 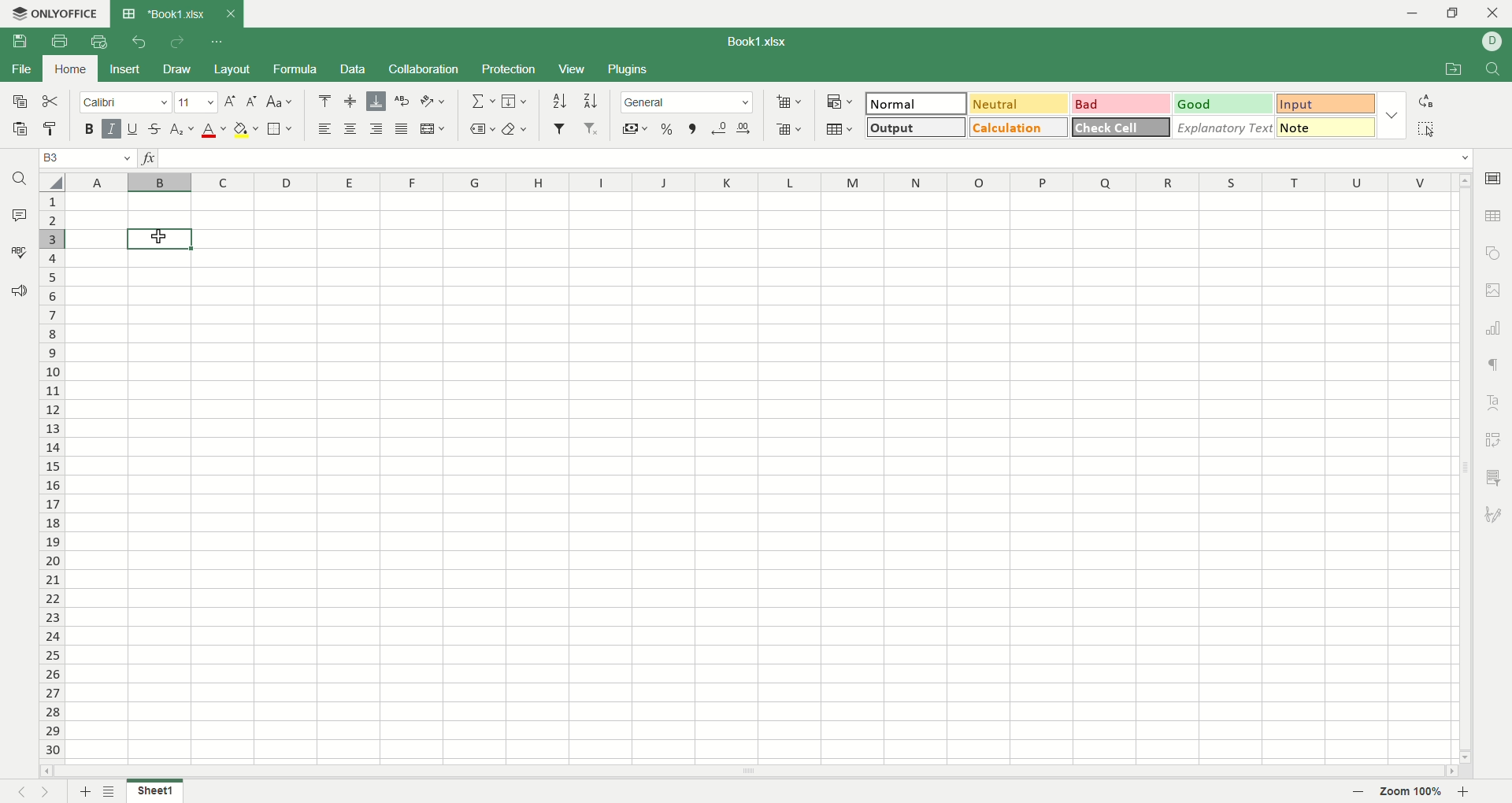 What do you see at coordinates (1466, 470) in the screenshot?
I see `vertical scroll bar` at bounding box center [1466, 470].